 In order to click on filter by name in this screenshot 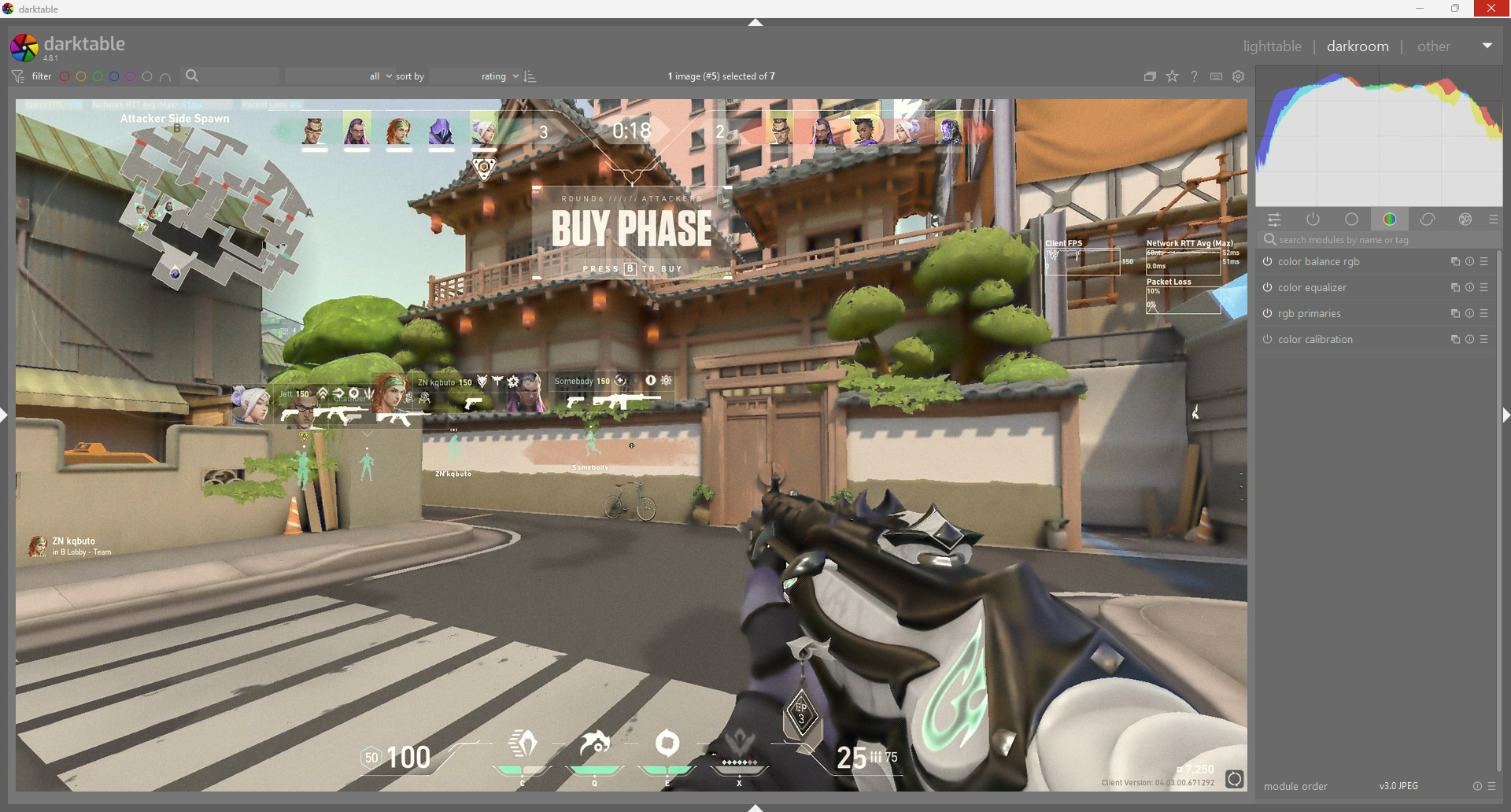, I will do `click(230, 75)`.